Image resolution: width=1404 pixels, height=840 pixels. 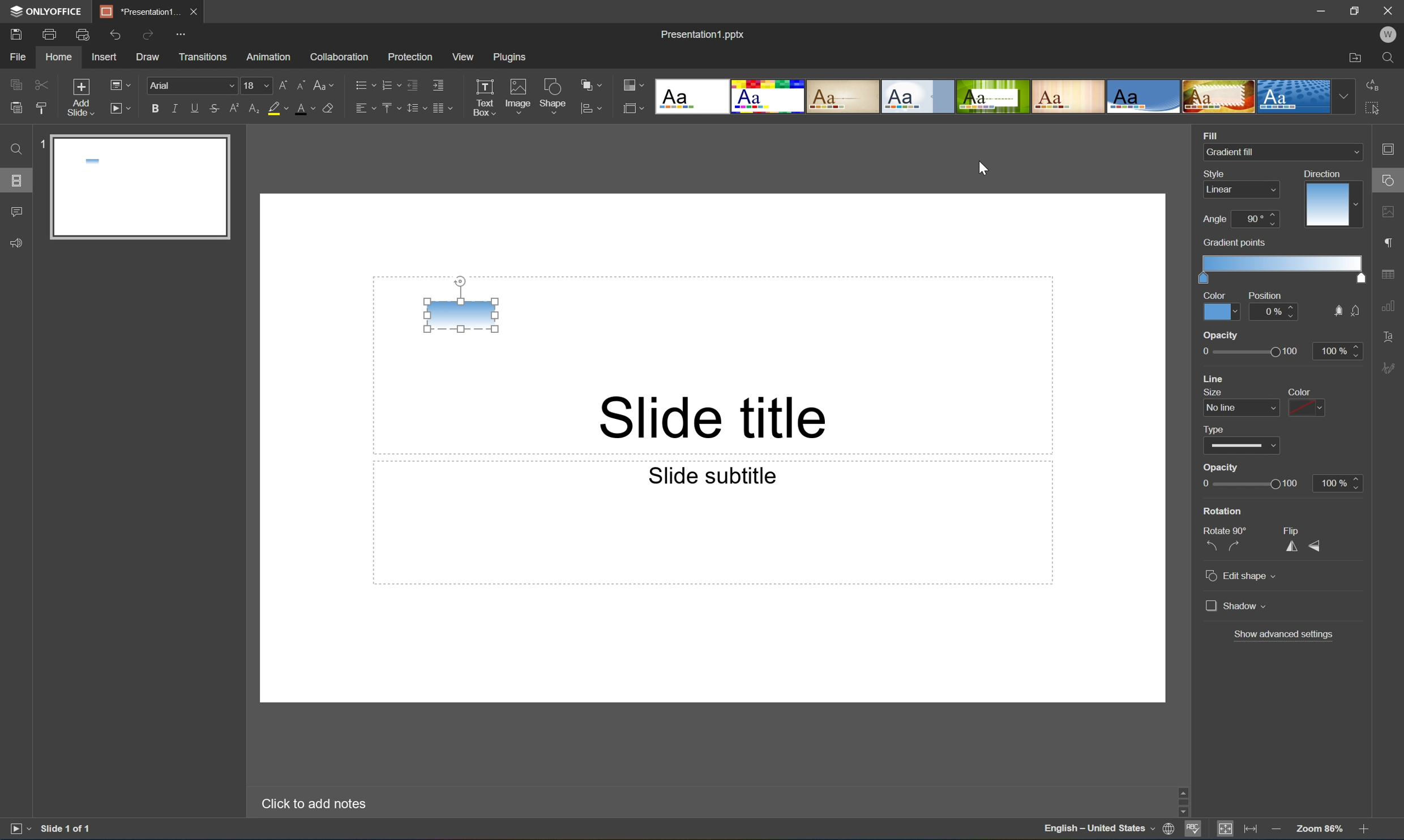 I want to click on Redo, so click(x=149, y=36).